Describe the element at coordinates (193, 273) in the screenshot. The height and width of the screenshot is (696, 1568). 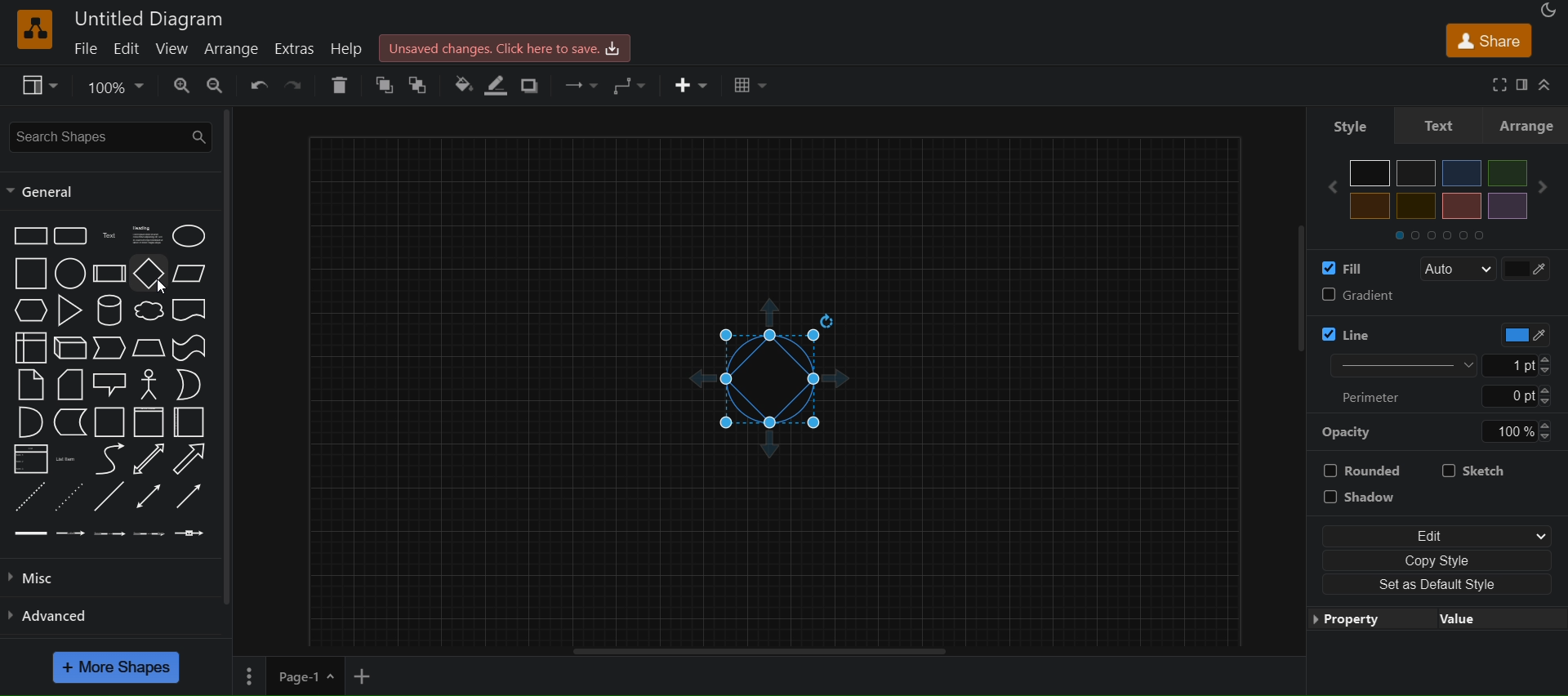
I see `parallelogram` at that location.